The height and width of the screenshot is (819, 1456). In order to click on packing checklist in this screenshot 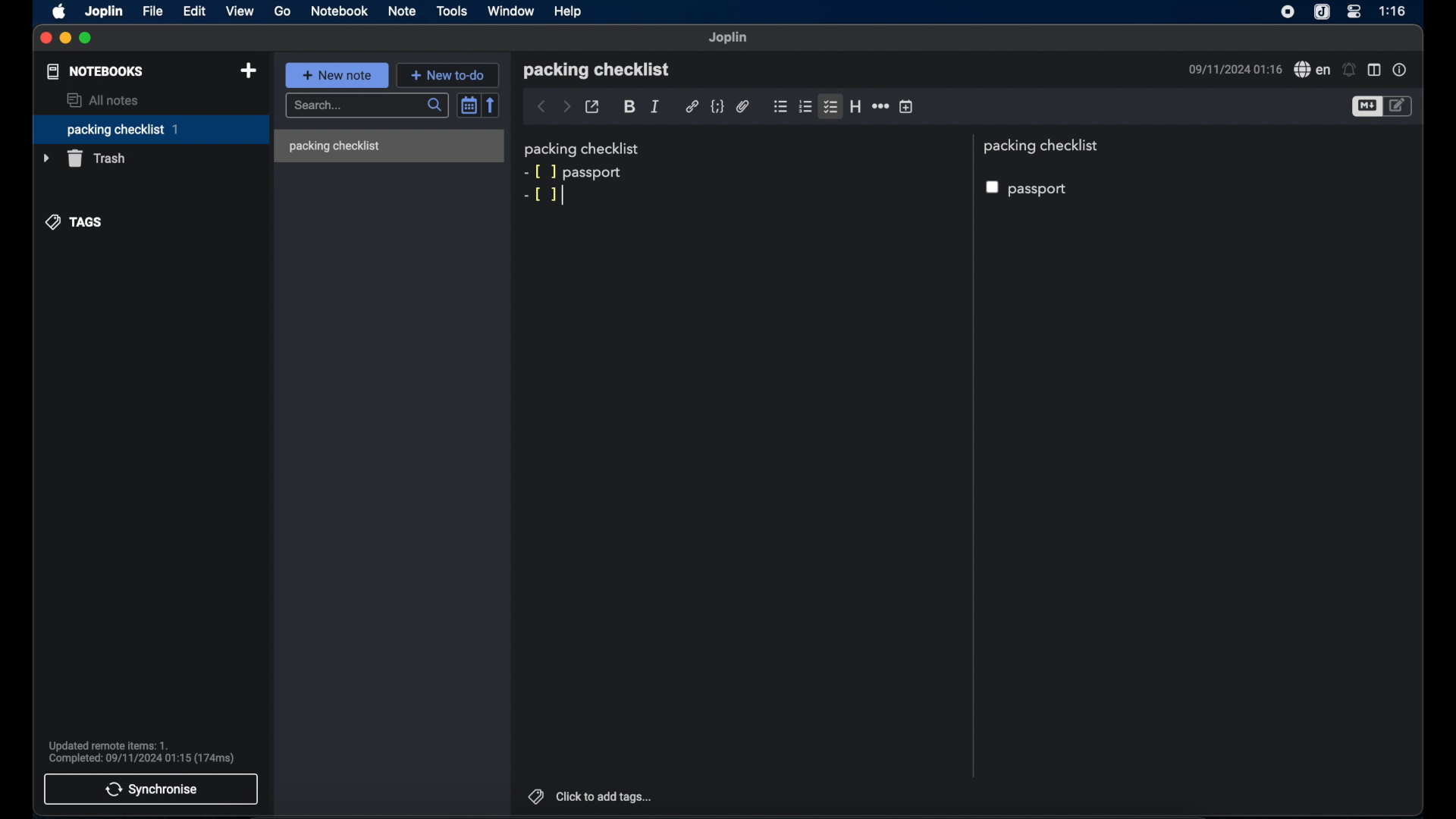, I will do `click(1044, 146)`.